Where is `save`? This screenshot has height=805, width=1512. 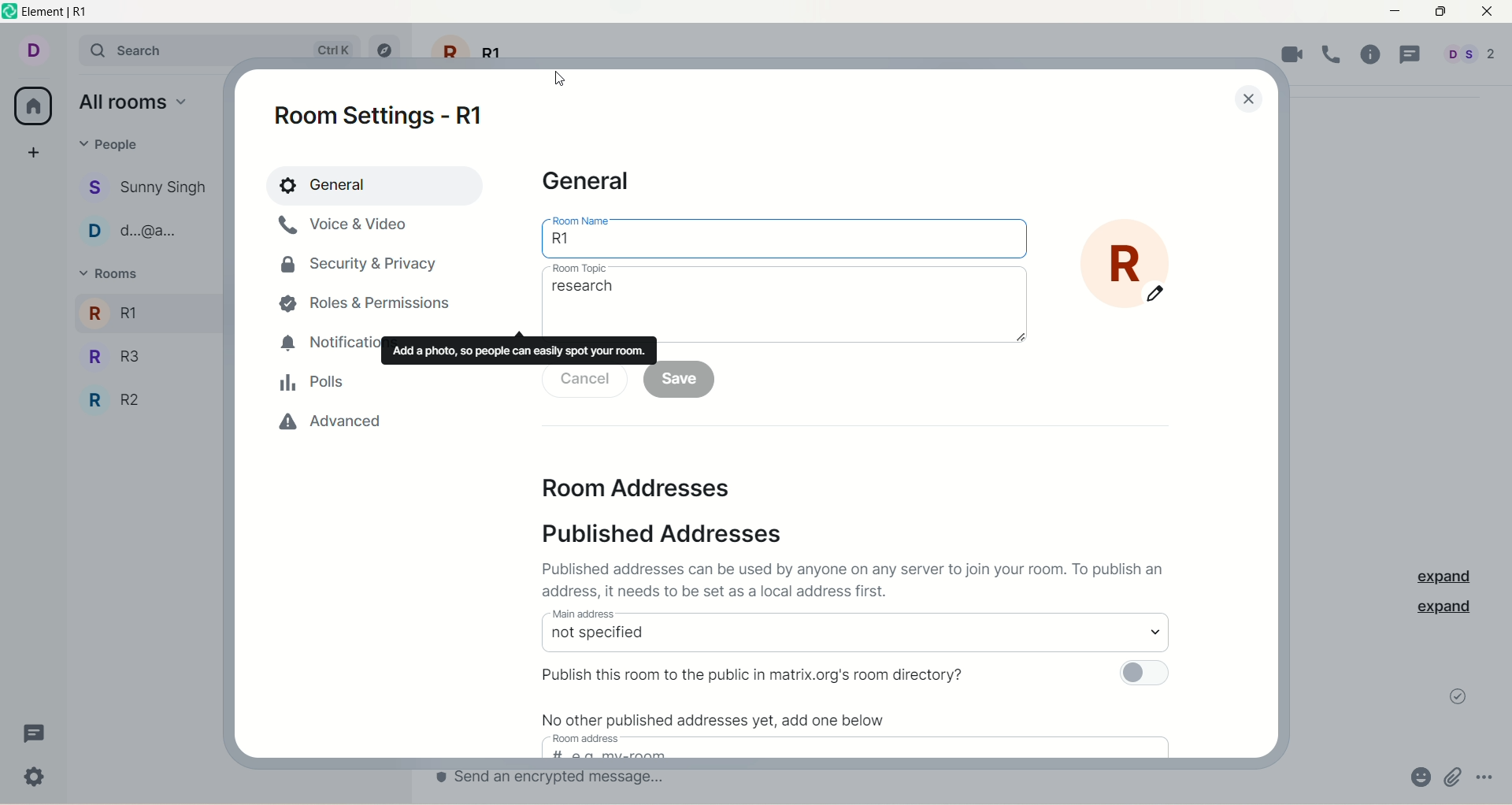
save is located at coordinates (684, 379).